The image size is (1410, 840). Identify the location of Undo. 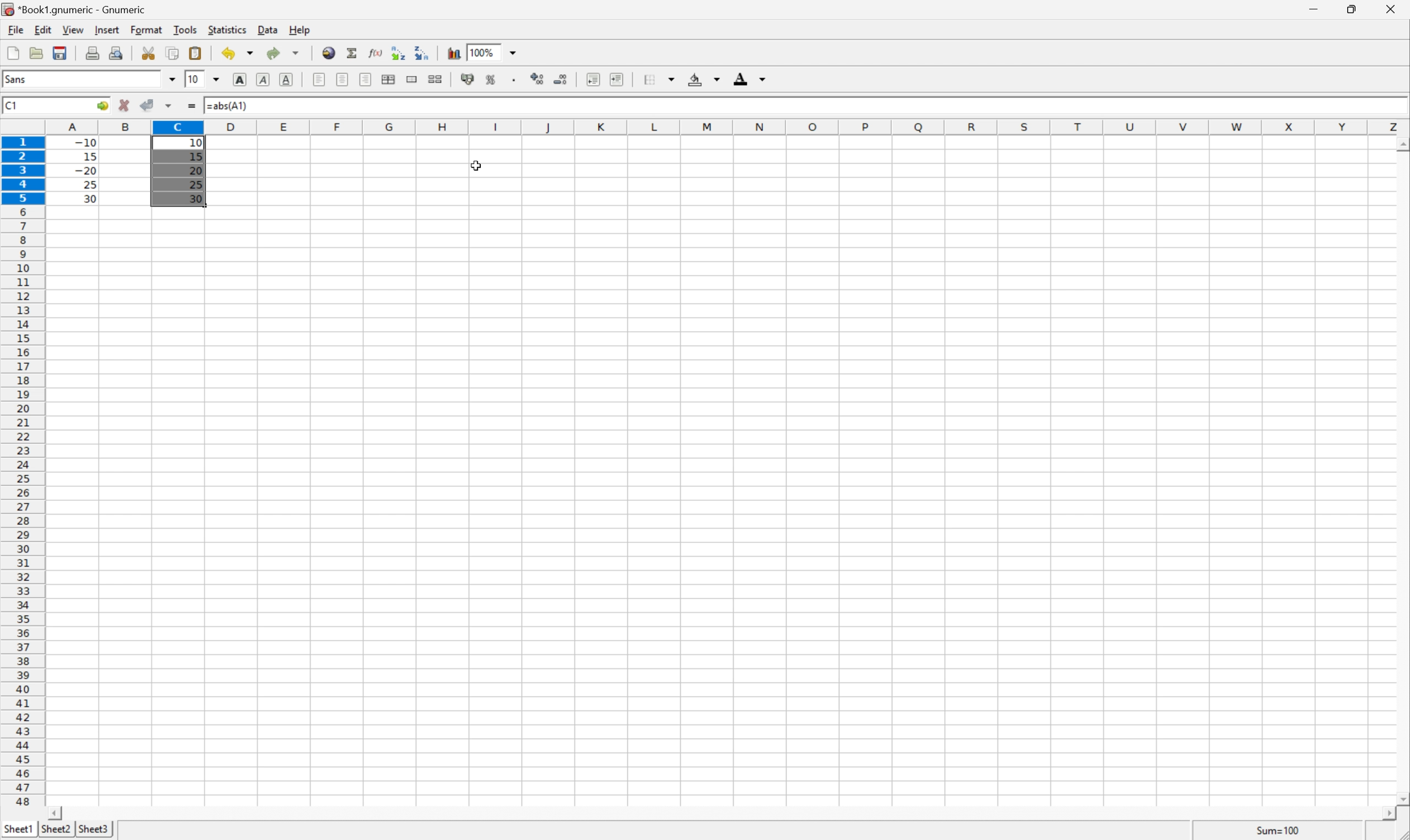
(239, 53).